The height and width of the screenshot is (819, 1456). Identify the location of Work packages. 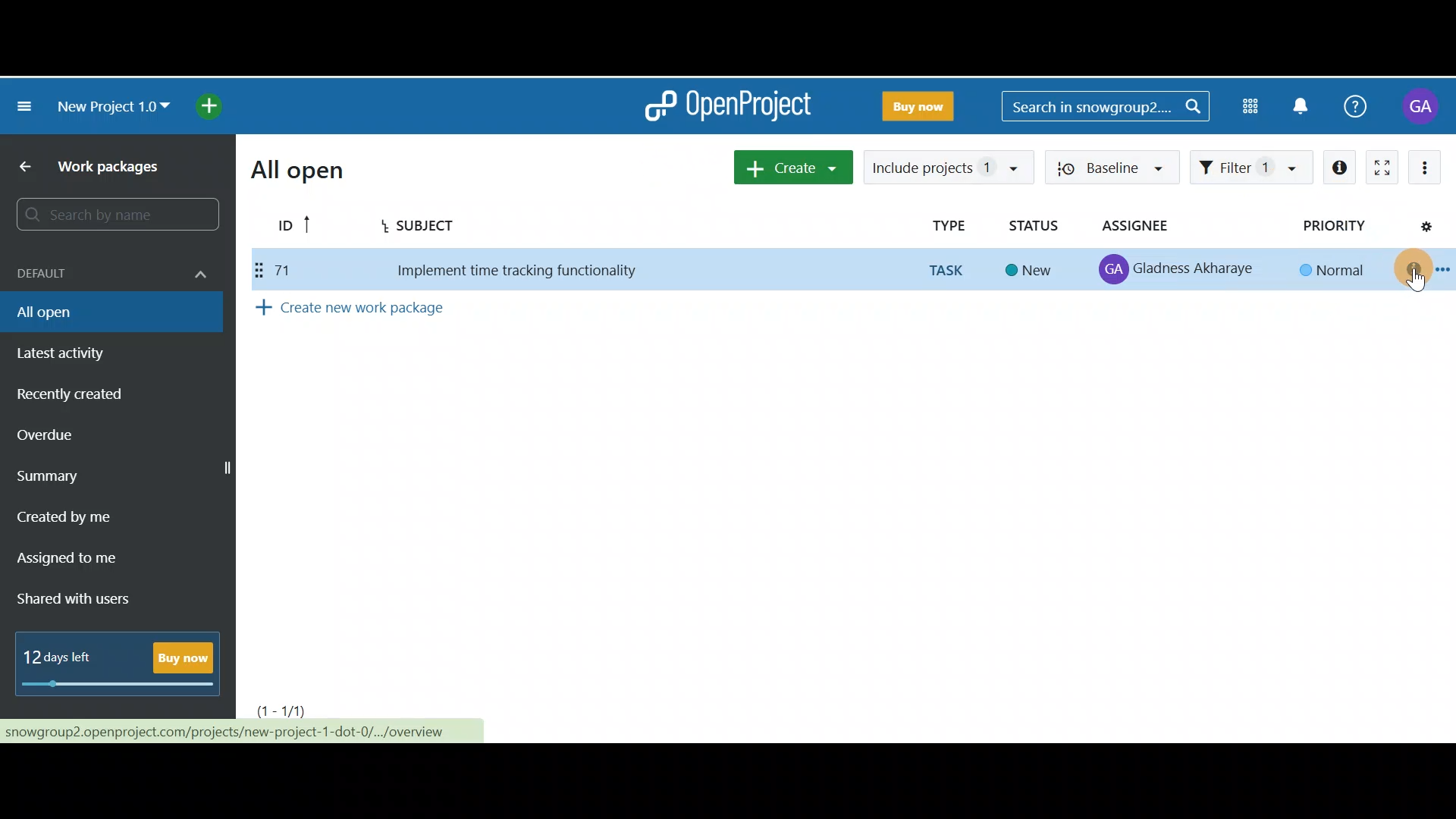
(99, 166).